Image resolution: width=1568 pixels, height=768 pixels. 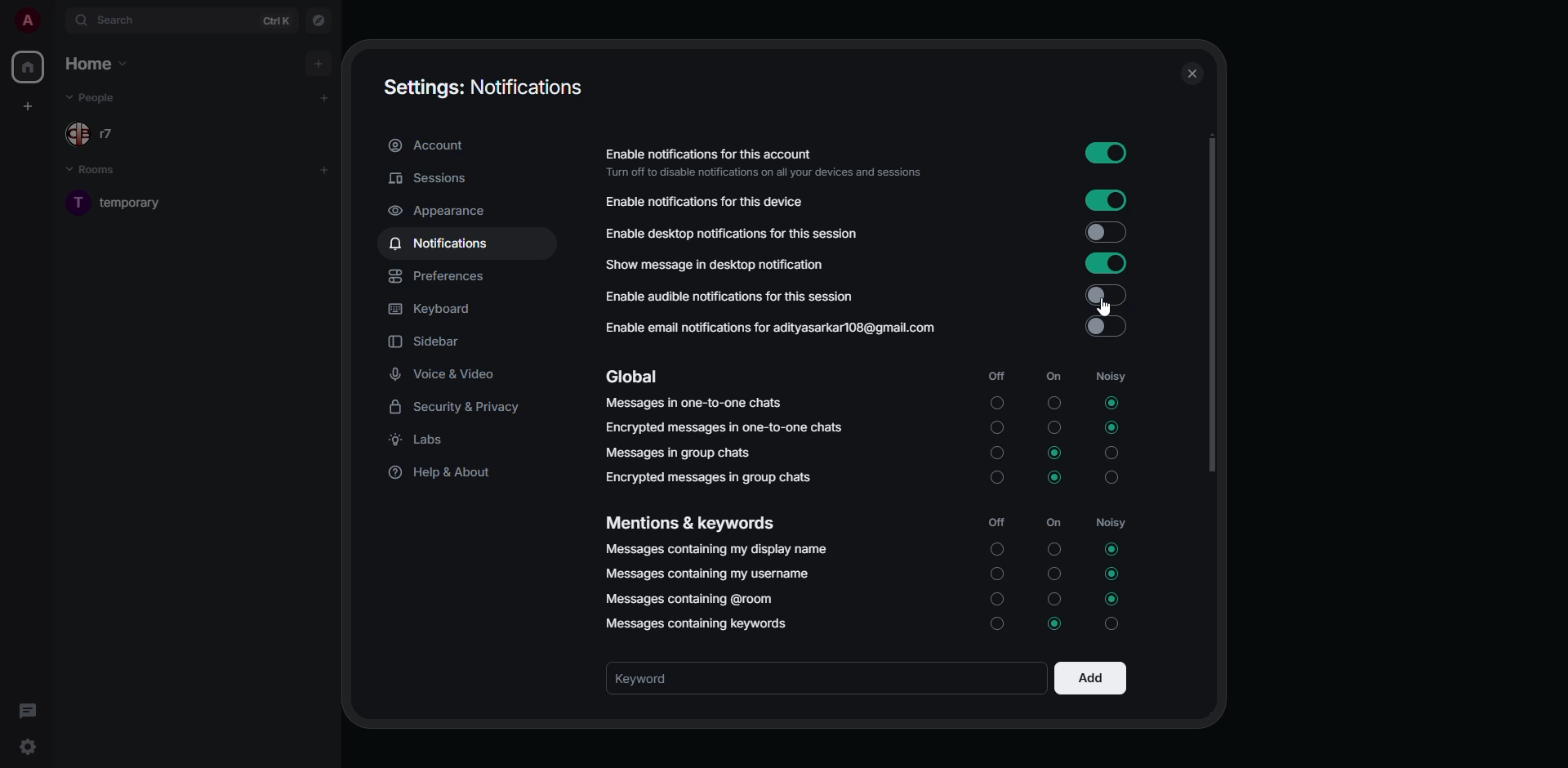 I want to click on quick settings, so click(x=28, y=746).